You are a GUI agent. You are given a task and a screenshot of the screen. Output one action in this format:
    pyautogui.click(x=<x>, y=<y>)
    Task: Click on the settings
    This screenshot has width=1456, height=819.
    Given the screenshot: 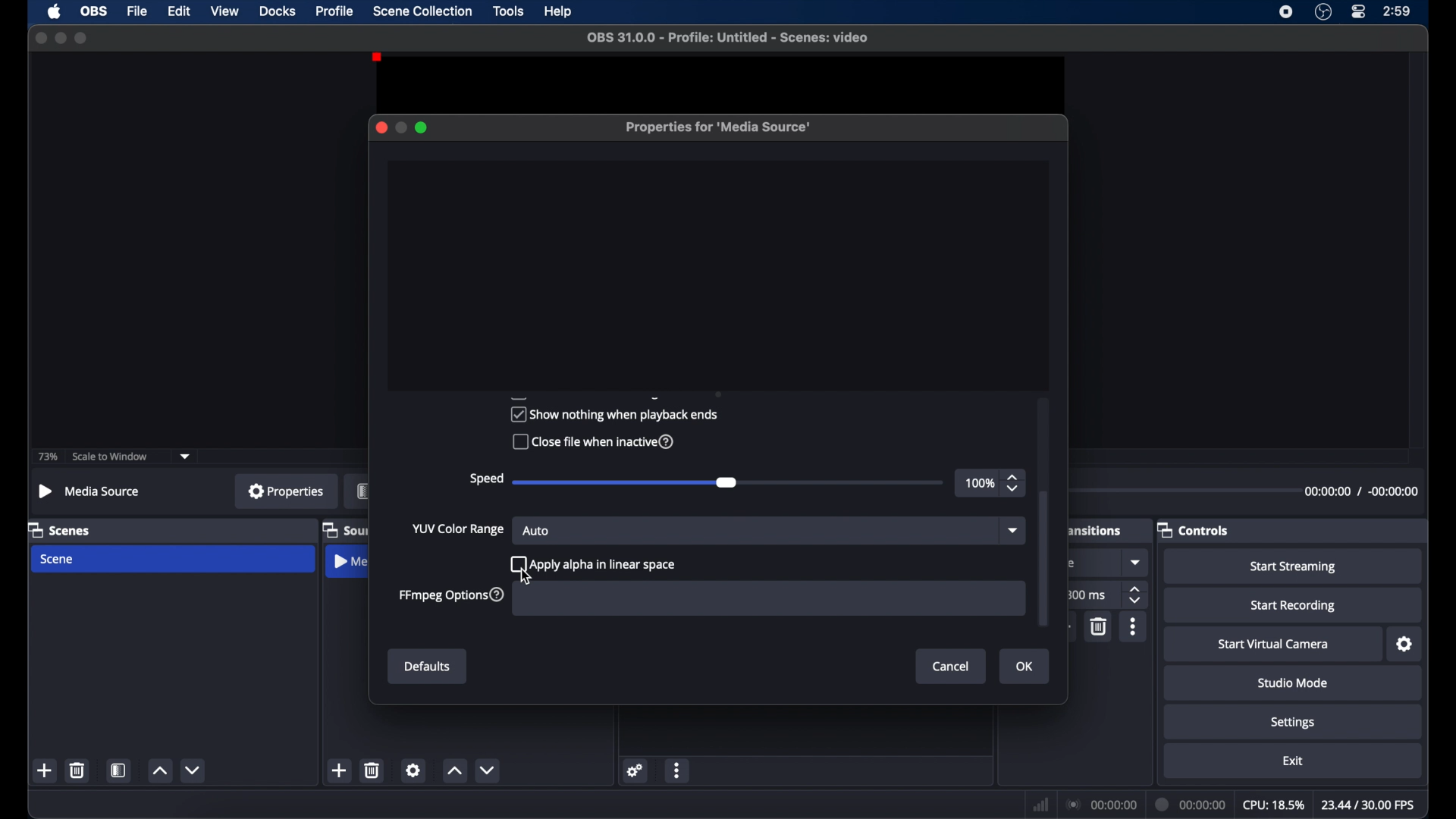 What is the action you would take?
    pyautogui.click(x=413, y=770)
    